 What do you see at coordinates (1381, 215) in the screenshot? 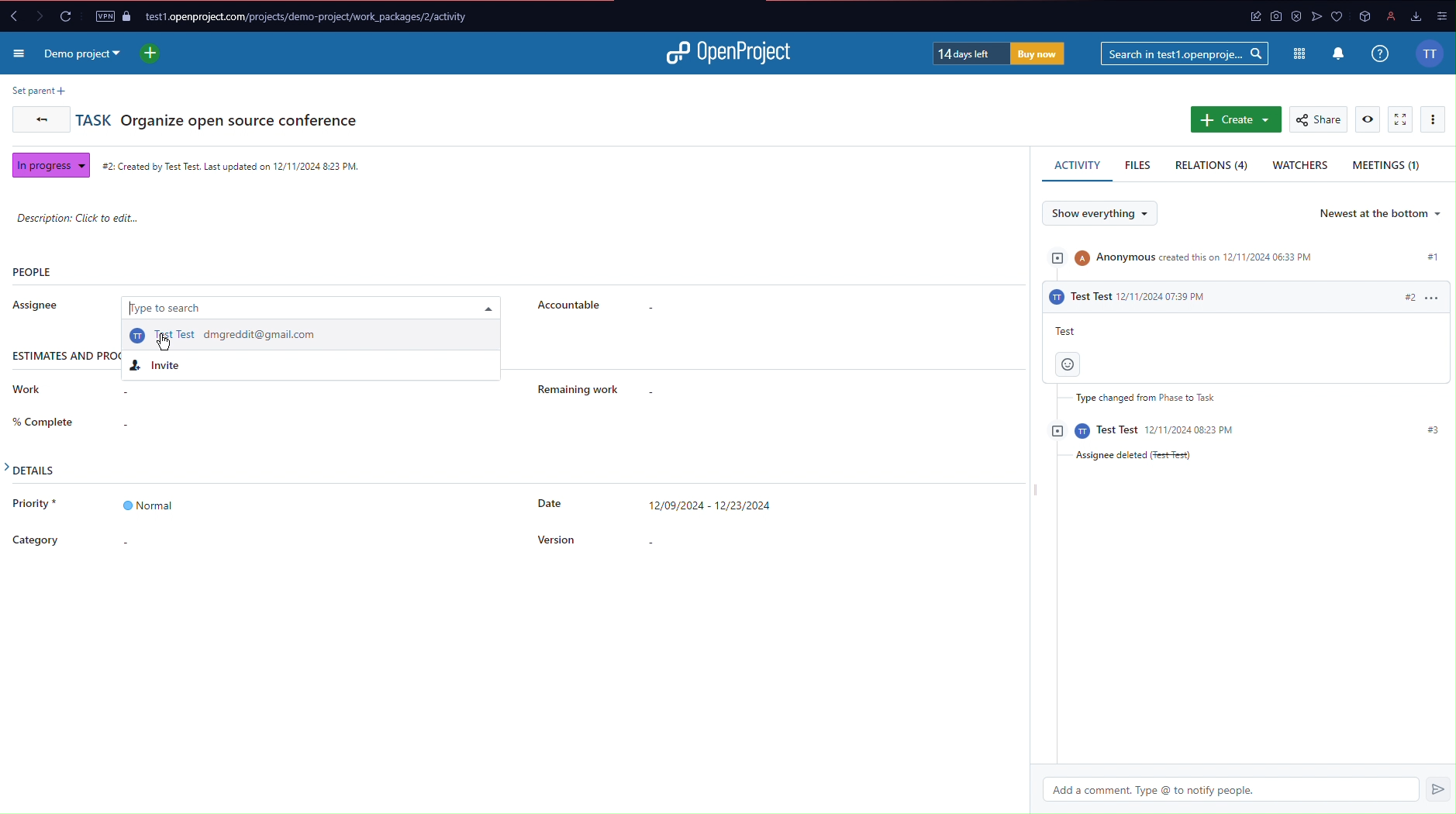
I see `Newest at the bottom` at bounding box center [1381, 215].